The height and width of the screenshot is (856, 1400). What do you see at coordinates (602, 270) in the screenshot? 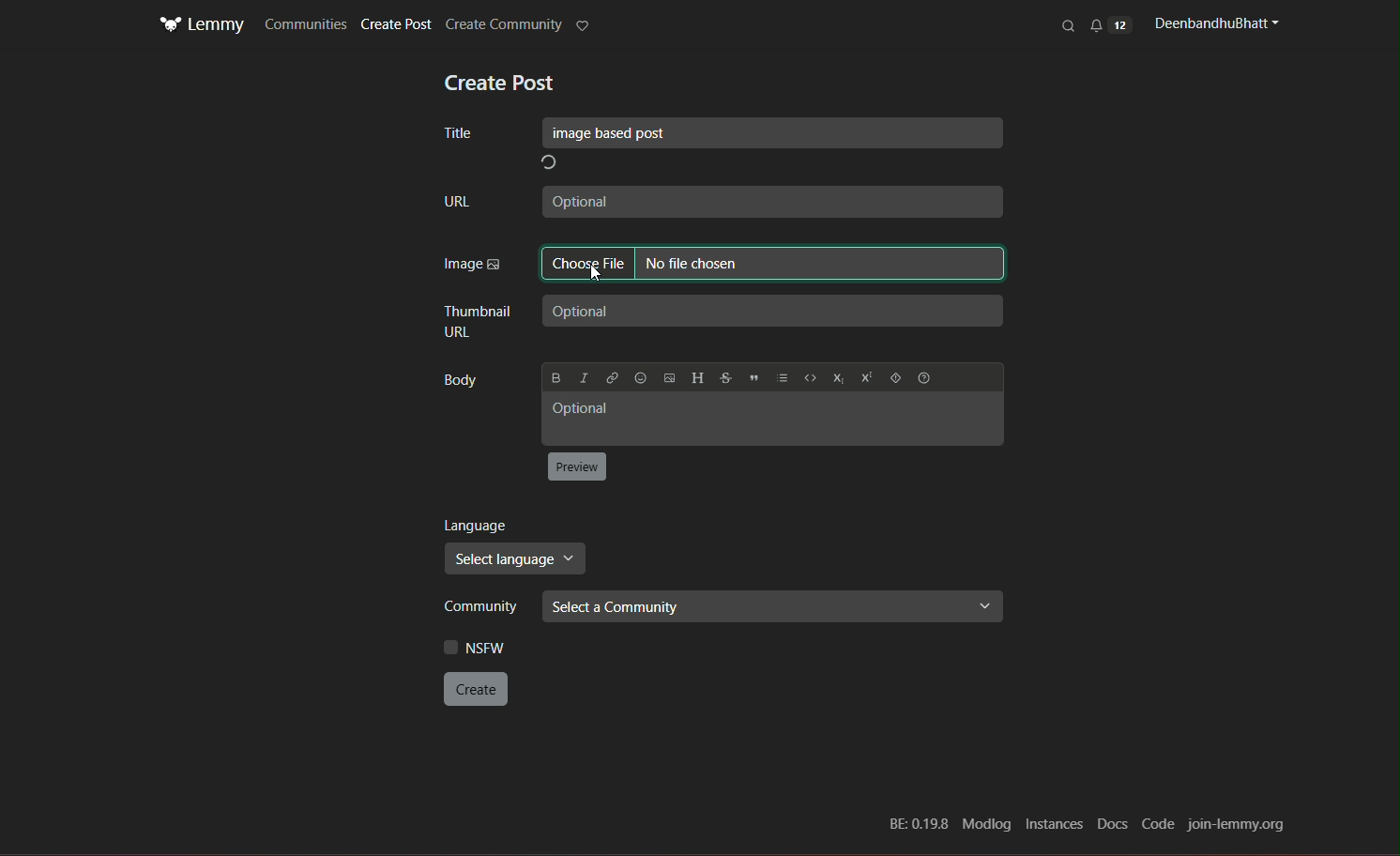
I see `Cursor` at bounding box center [602, 270].